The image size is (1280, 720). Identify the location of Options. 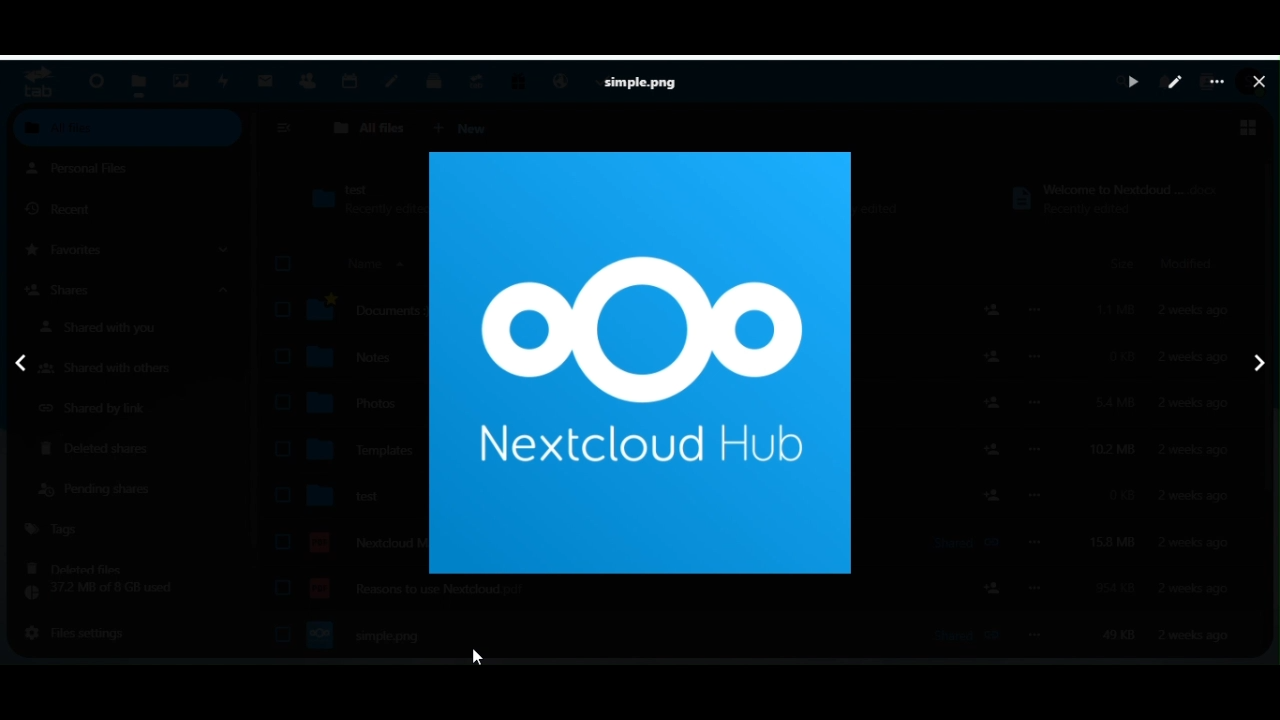
(1215, 83).